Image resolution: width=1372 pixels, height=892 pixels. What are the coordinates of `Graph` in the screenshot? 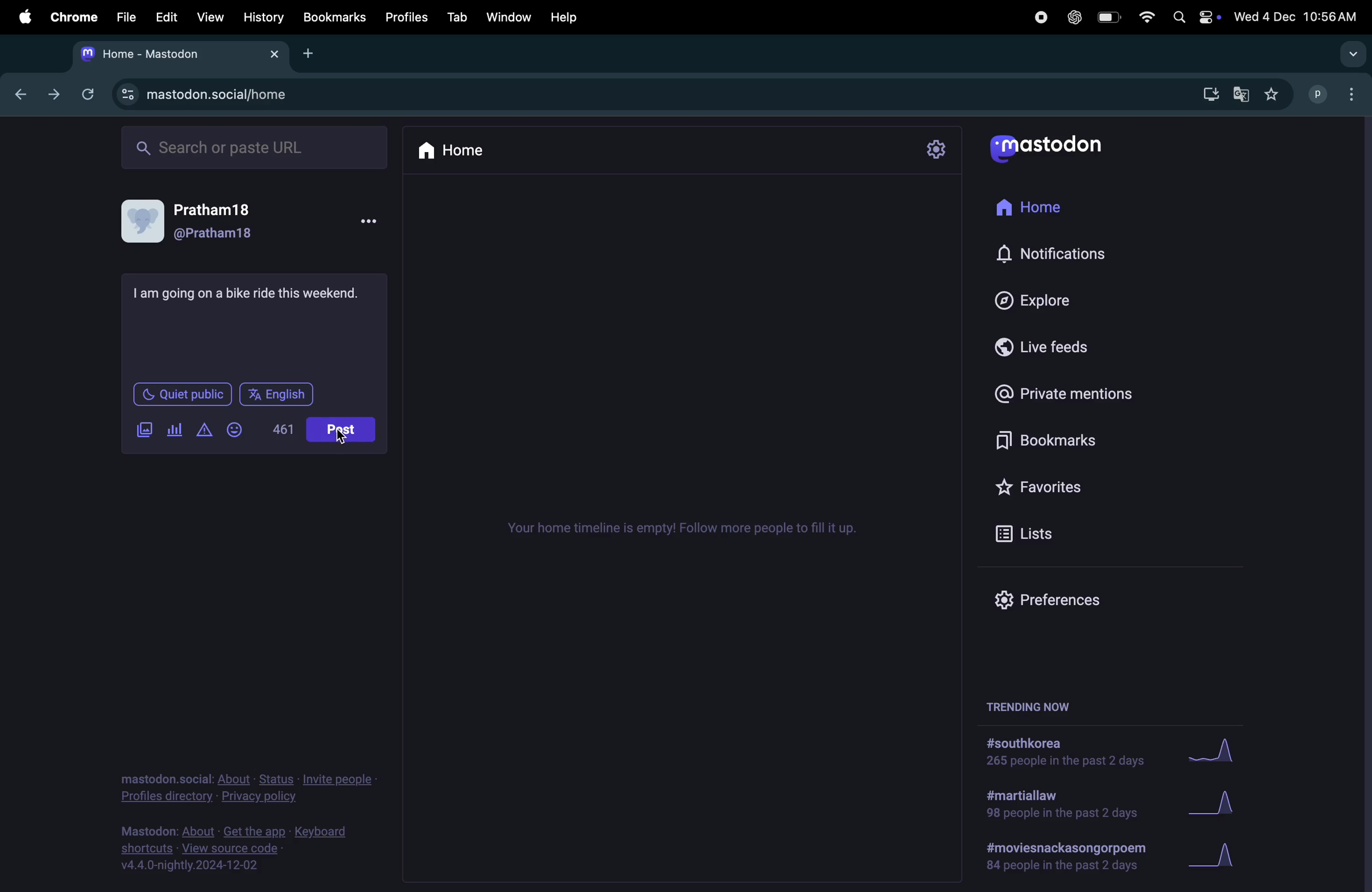 It's located at (1225, 857).